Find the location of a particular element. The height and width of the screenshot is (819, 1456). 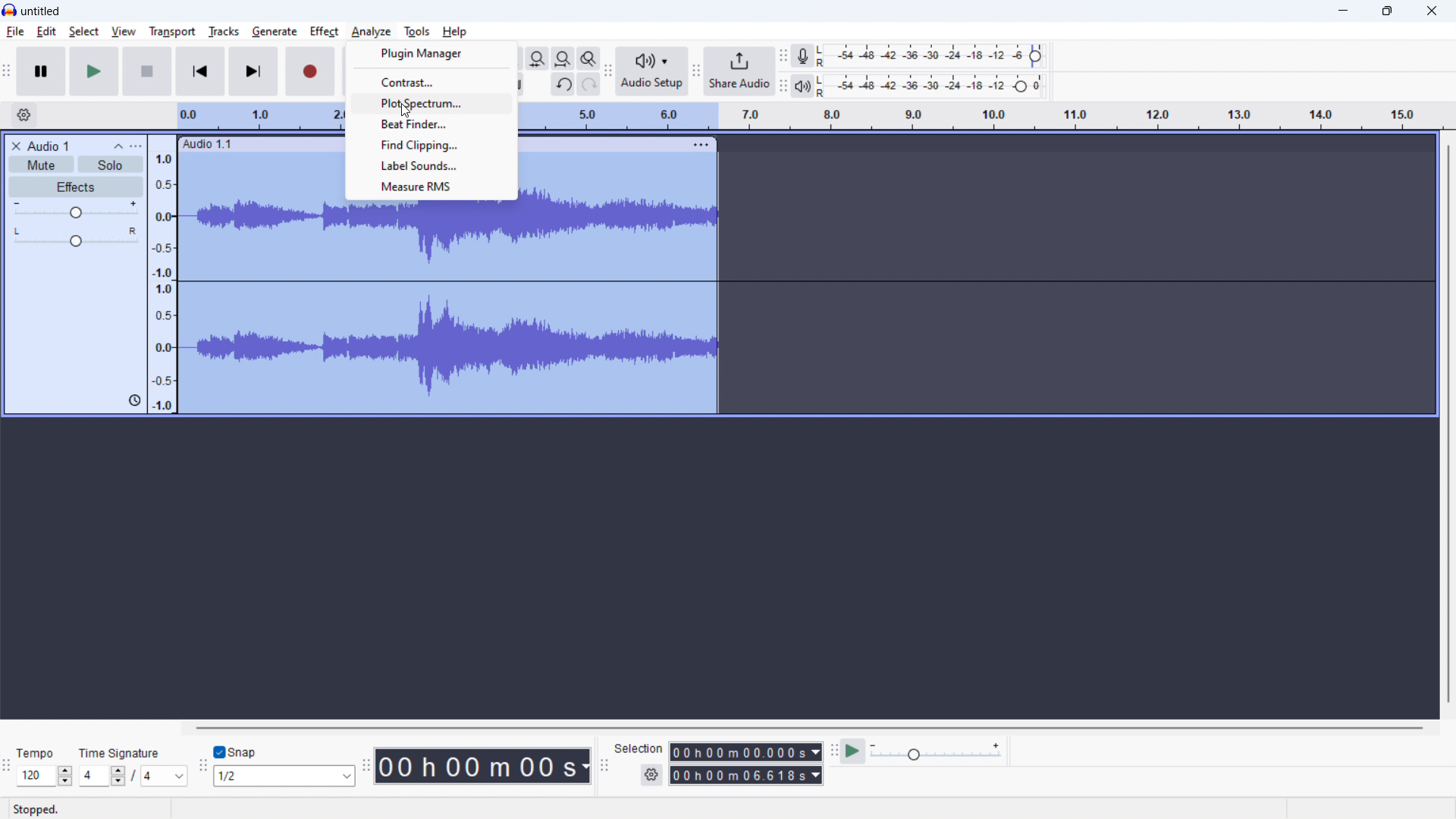

skip to start is located at coordinates (200, 71).